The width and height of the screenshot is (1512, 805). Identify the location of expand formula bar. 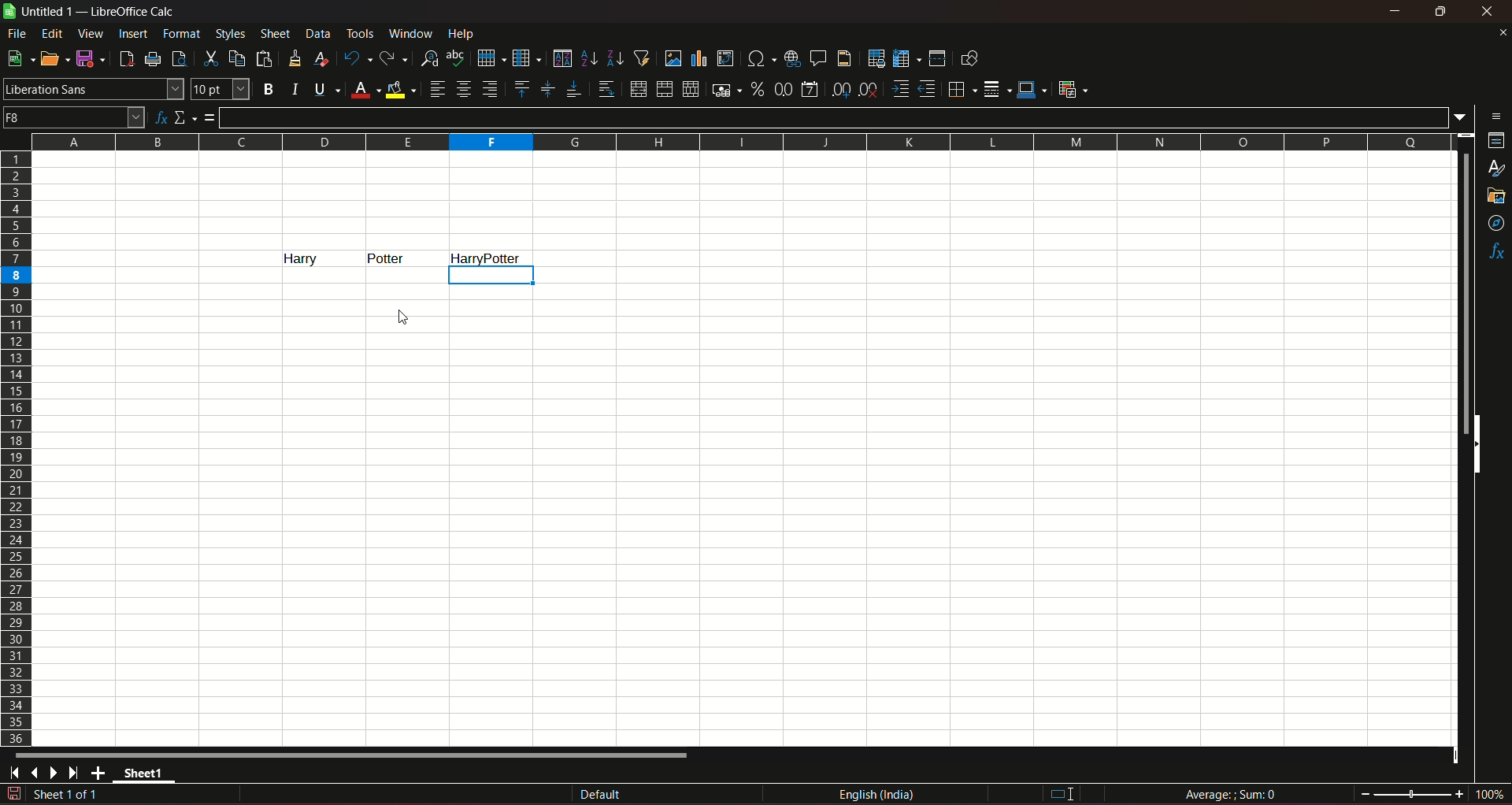
(1464, 116).